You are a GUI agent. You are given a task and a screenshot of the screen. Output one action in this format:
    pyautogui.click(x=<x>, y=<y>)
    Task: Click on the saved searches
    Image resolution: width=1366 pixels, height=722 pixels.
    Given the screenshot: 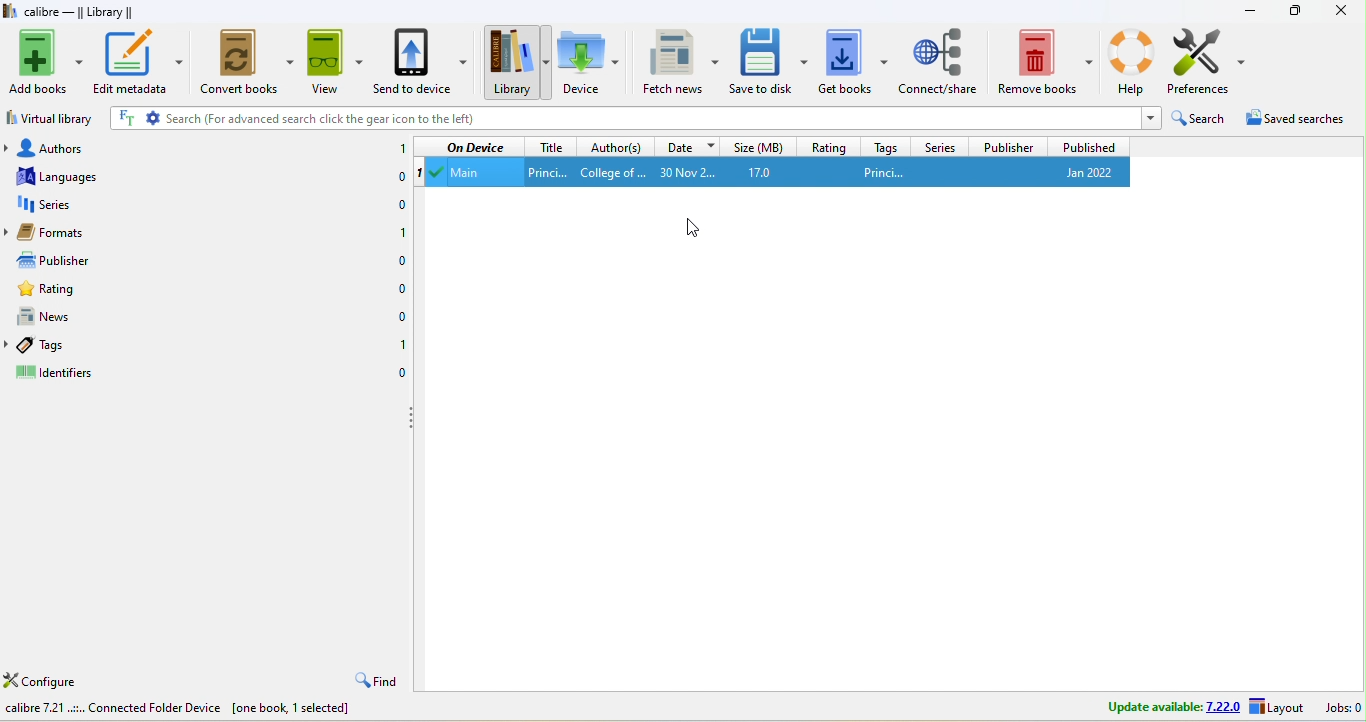 What is the action you would take?
    pyautogui.click(x=1298, y=122)
    